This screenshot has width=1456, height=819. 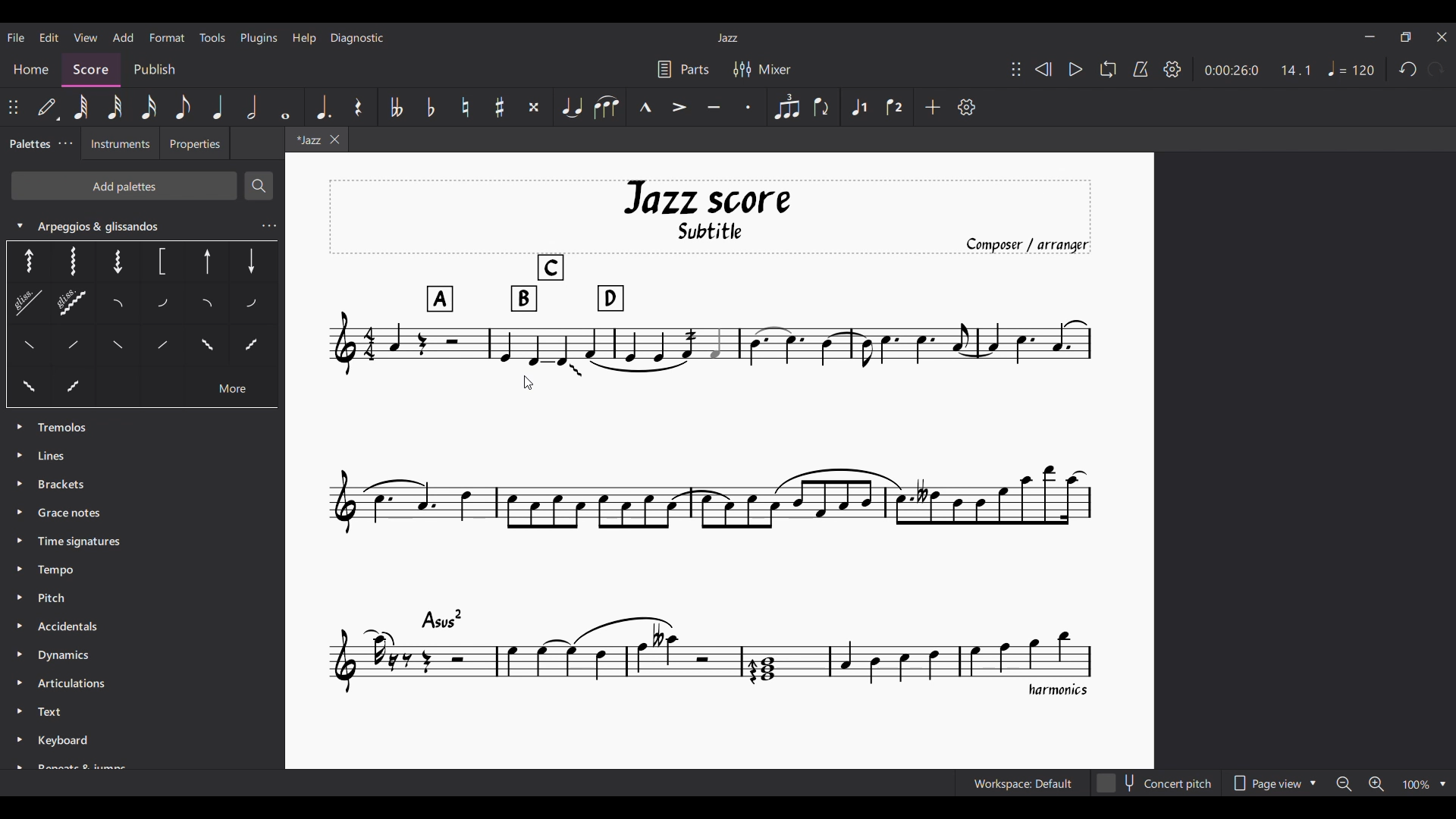 What do you see at coordinates (14, 107) in the screenshot?
I see `Change position` at bounding box center [14, 107].